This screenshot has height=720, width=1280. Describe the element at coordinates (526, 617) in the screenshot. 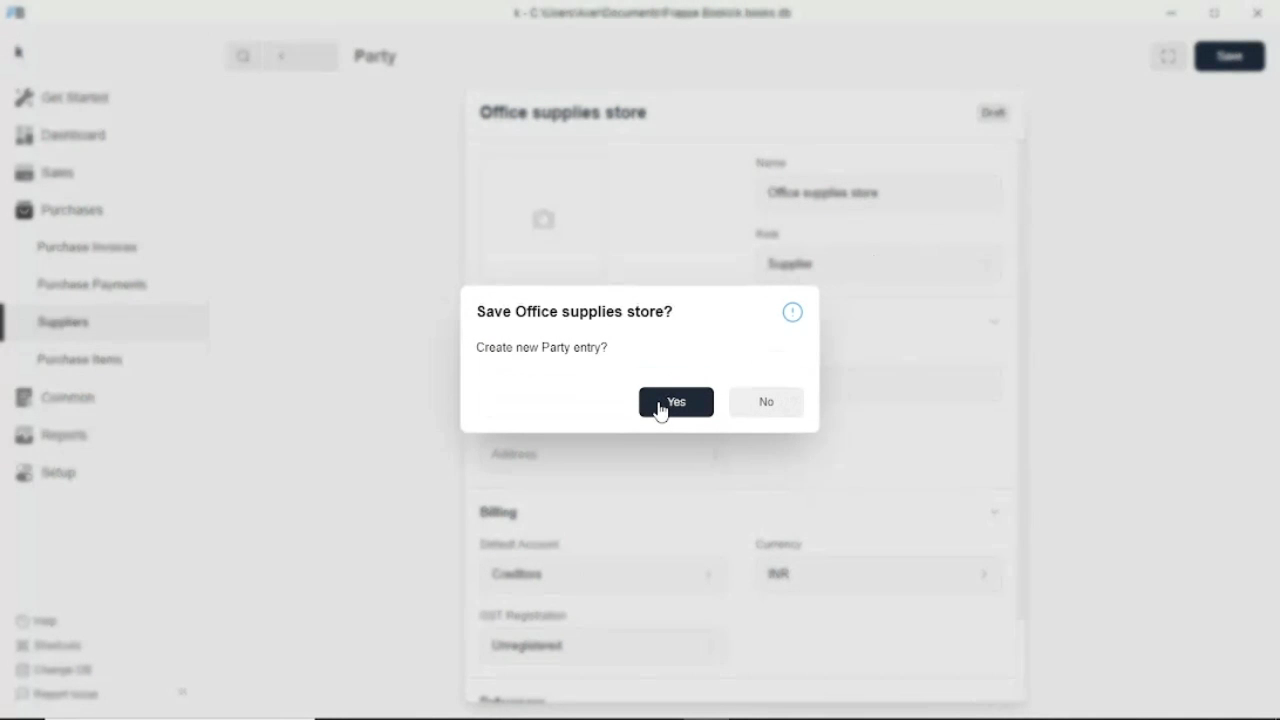

I see `GST Registration` at that location.